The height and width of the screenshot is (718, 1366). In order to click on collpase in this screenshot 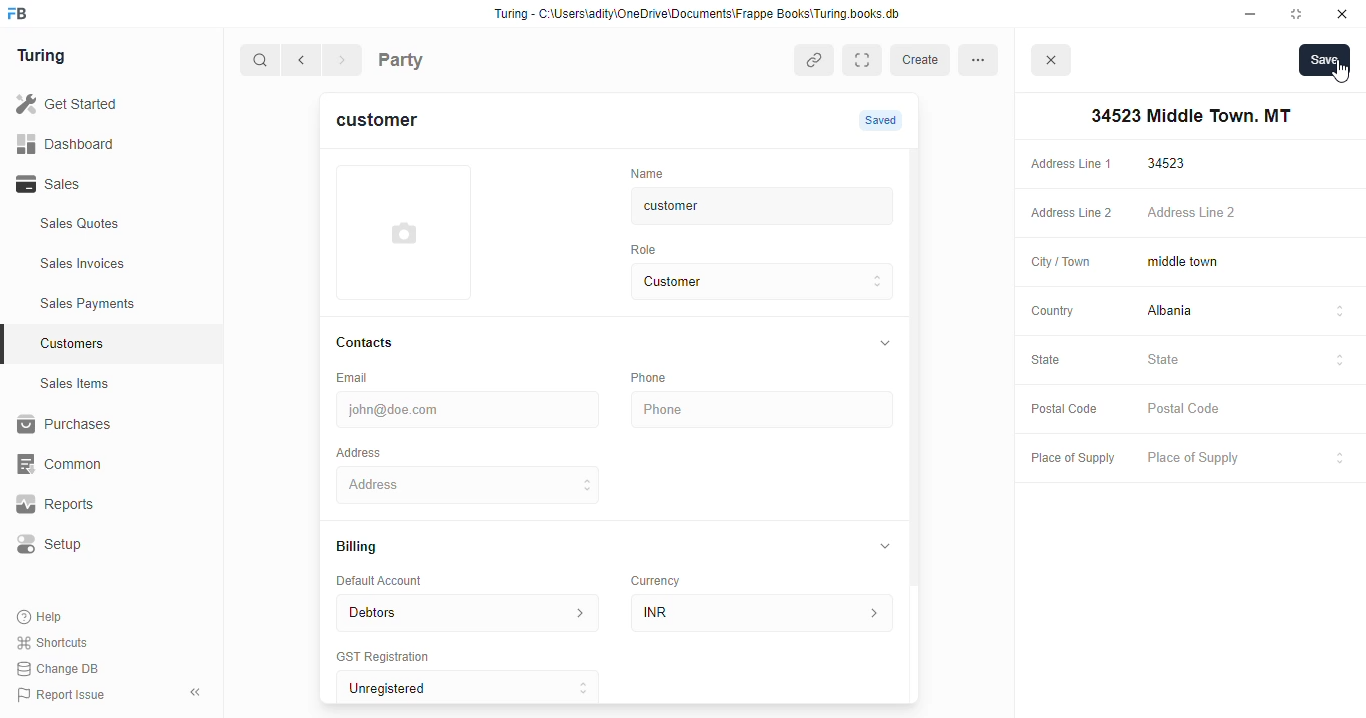, I will do `click(195, 692)`.